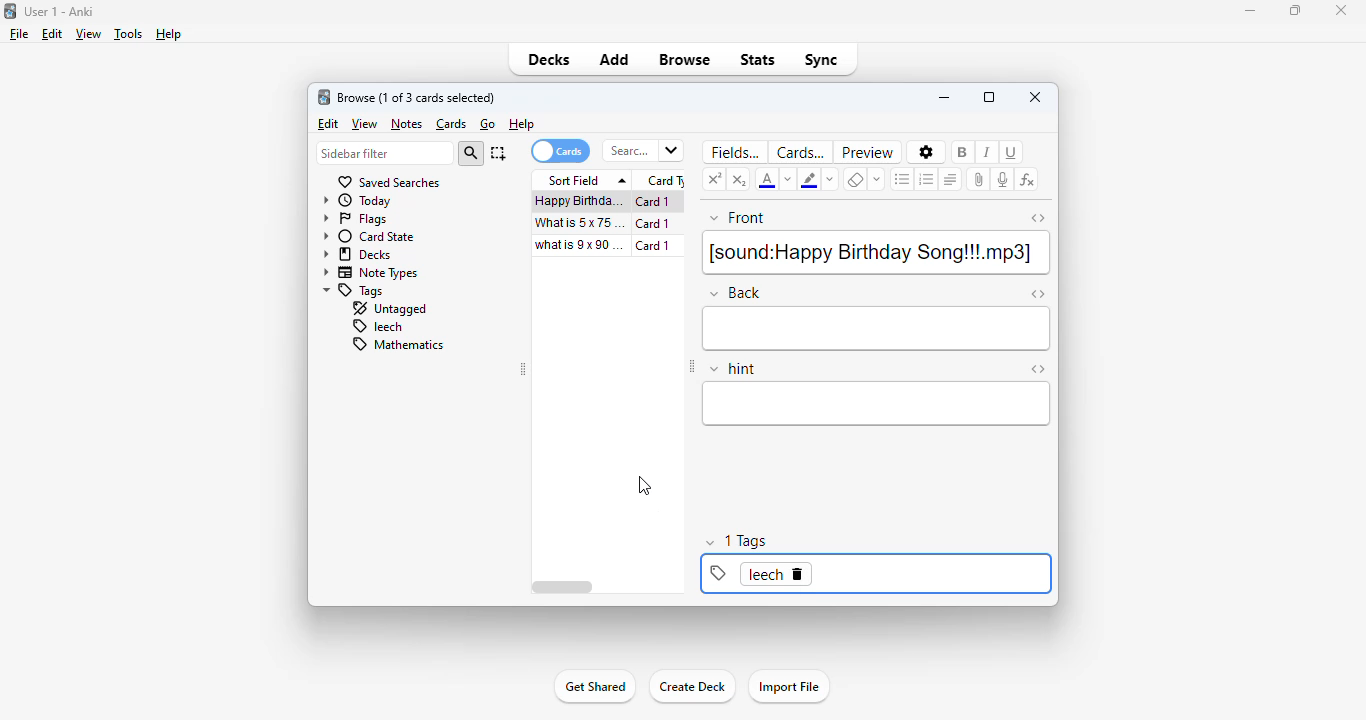 The height and width of the screenshot is (720, 1366). I want to click on alignment, so click(951, 179).